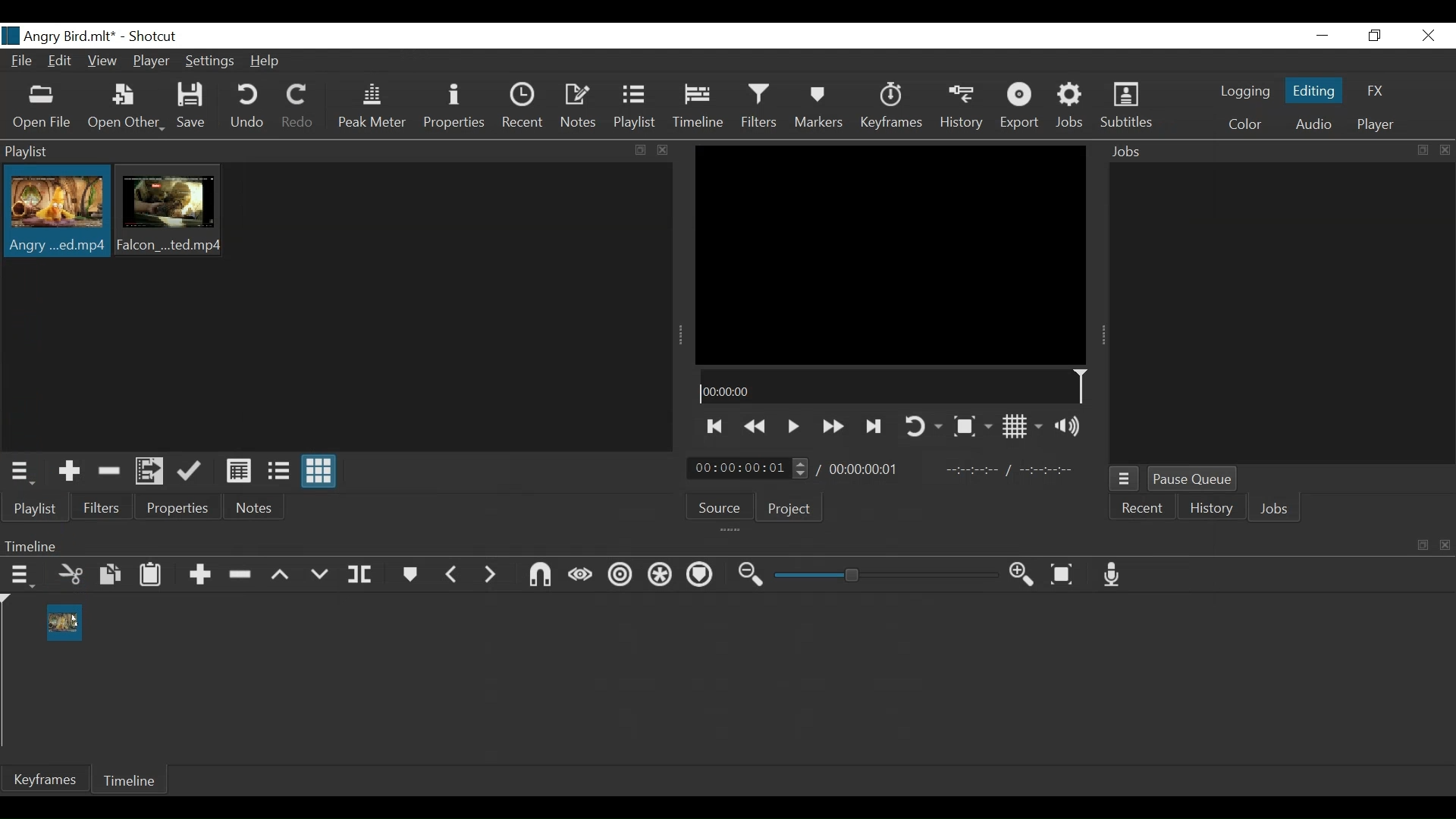 The image size is (1456, 819). Describe the element at coordinates (1026, 426) in the screenshot. I see `Toggle display grid on player` at that location.